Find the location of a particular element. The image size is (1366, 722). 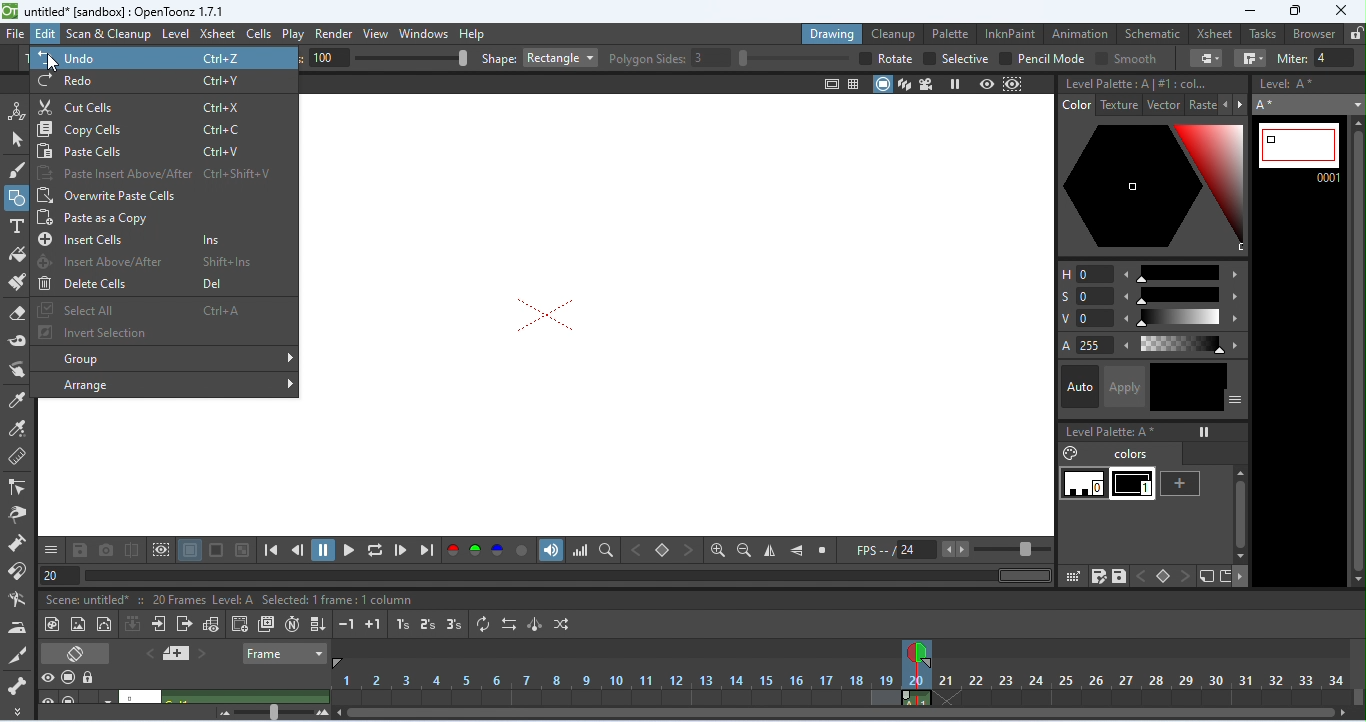

next key is located at coordinates (1186, 577).